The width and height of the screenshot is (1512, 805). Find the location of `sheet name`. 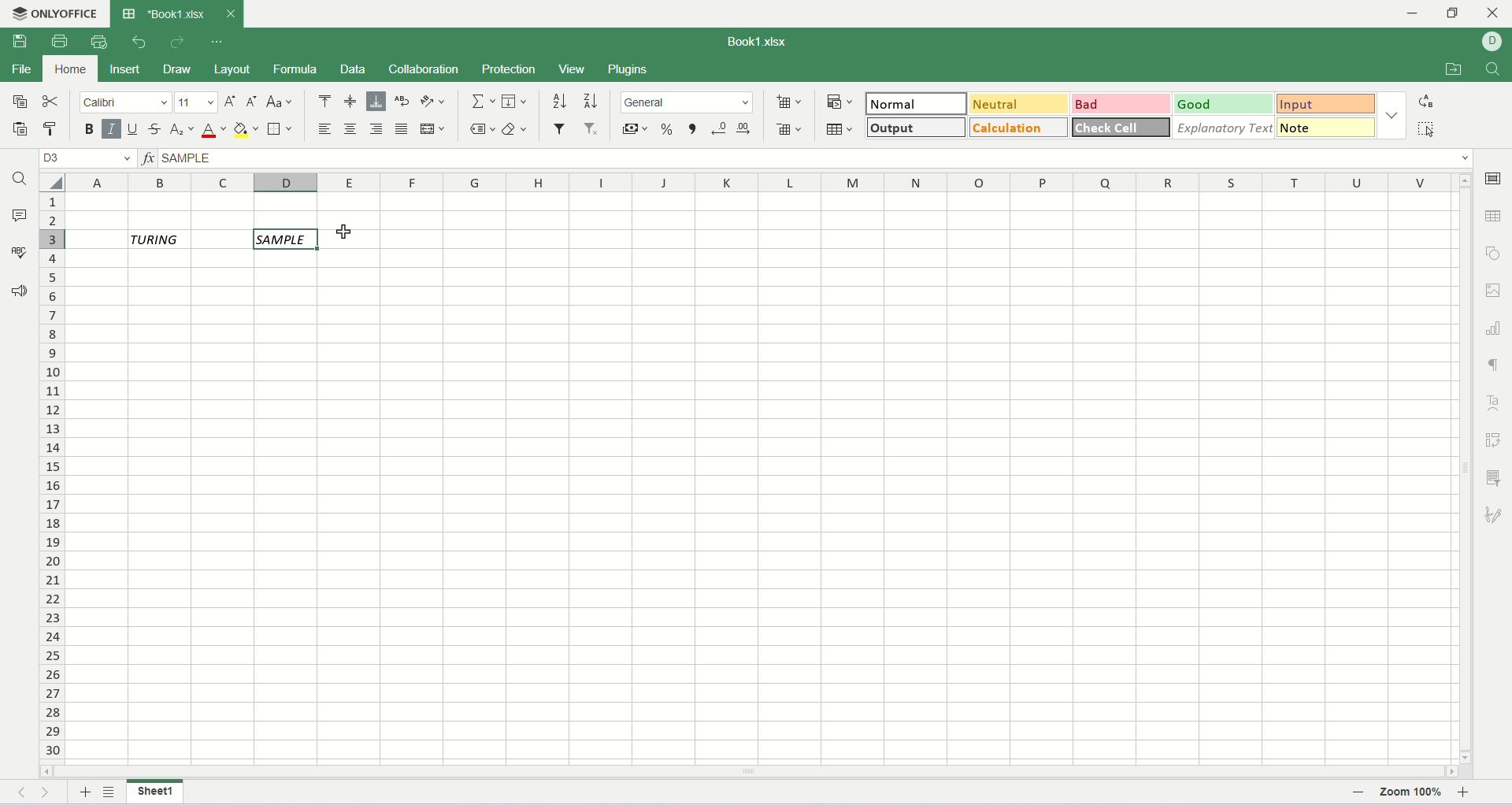

sheet name is located at coordinates (153, 793).